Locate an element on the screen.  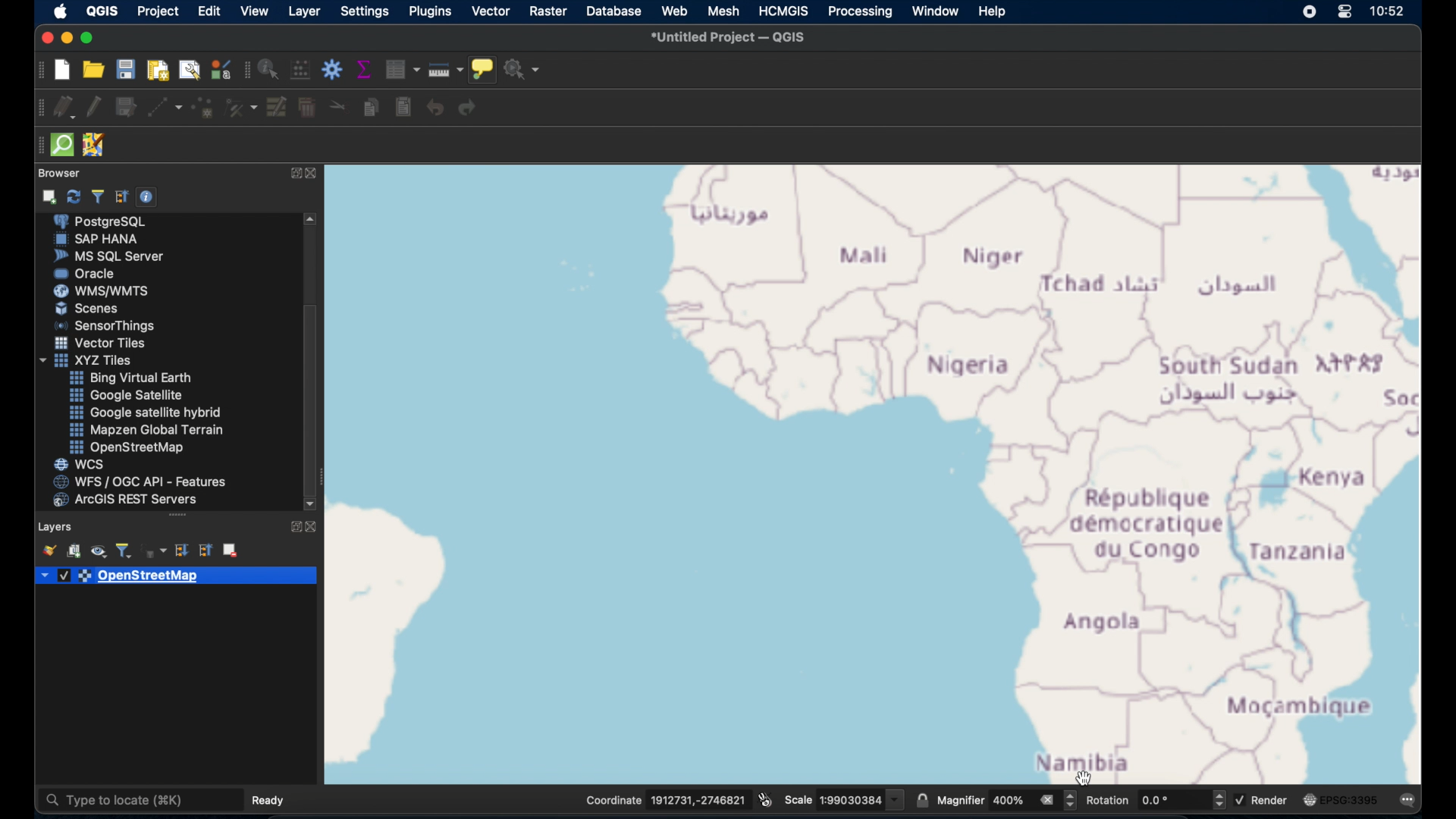
vector tiles is located at coordinates (101, 344).